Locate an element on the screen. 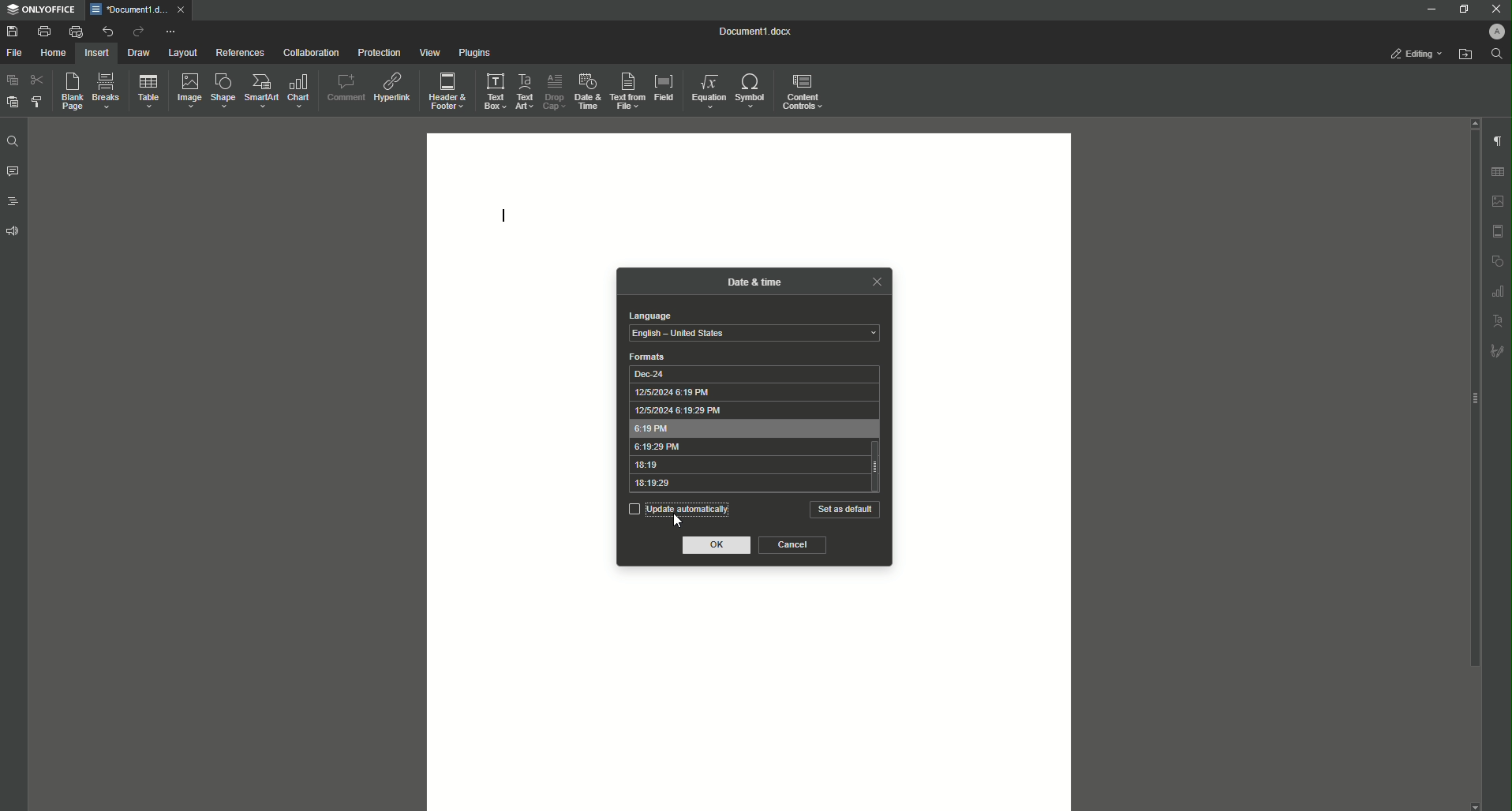 The image size is (1512, 811). Table is located at coordinates (145, 91).